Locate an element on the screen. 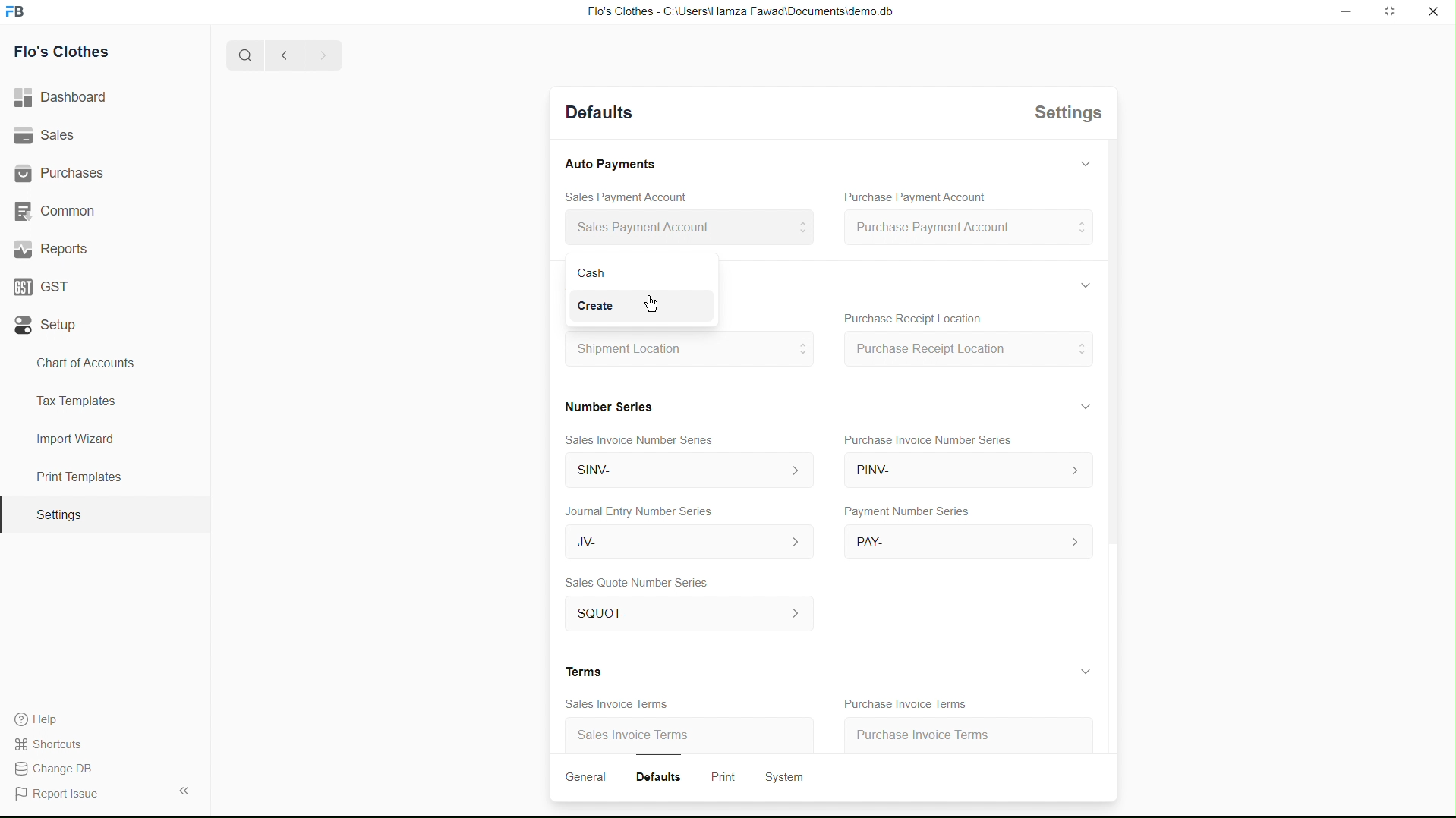 The image size is (1456, 818). Shortcuts is located at coordinates (57, 743).